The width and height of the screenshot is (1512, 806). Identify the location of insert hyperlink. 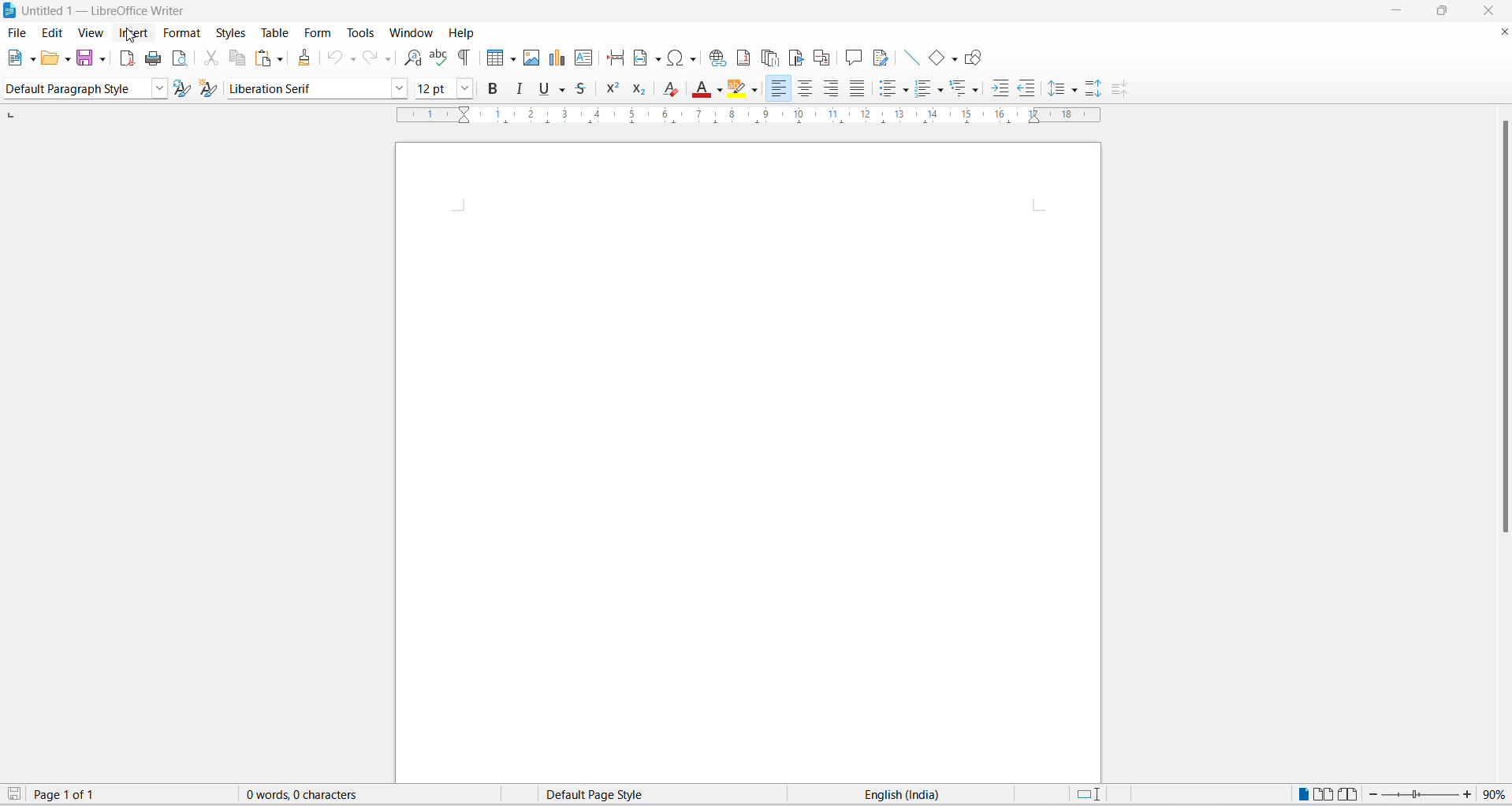
(716, 59).